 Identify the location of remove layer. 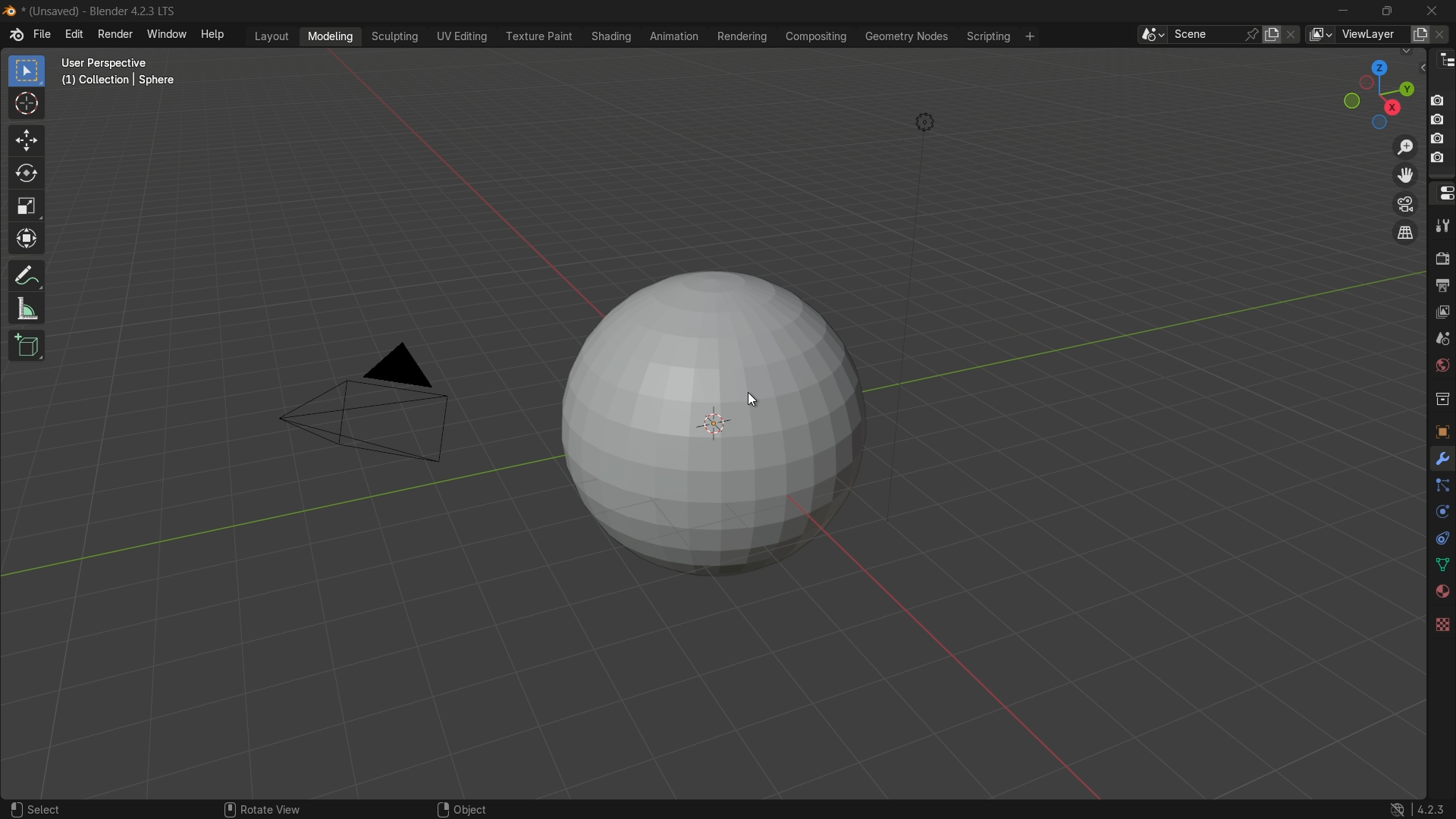
(1443, 34).